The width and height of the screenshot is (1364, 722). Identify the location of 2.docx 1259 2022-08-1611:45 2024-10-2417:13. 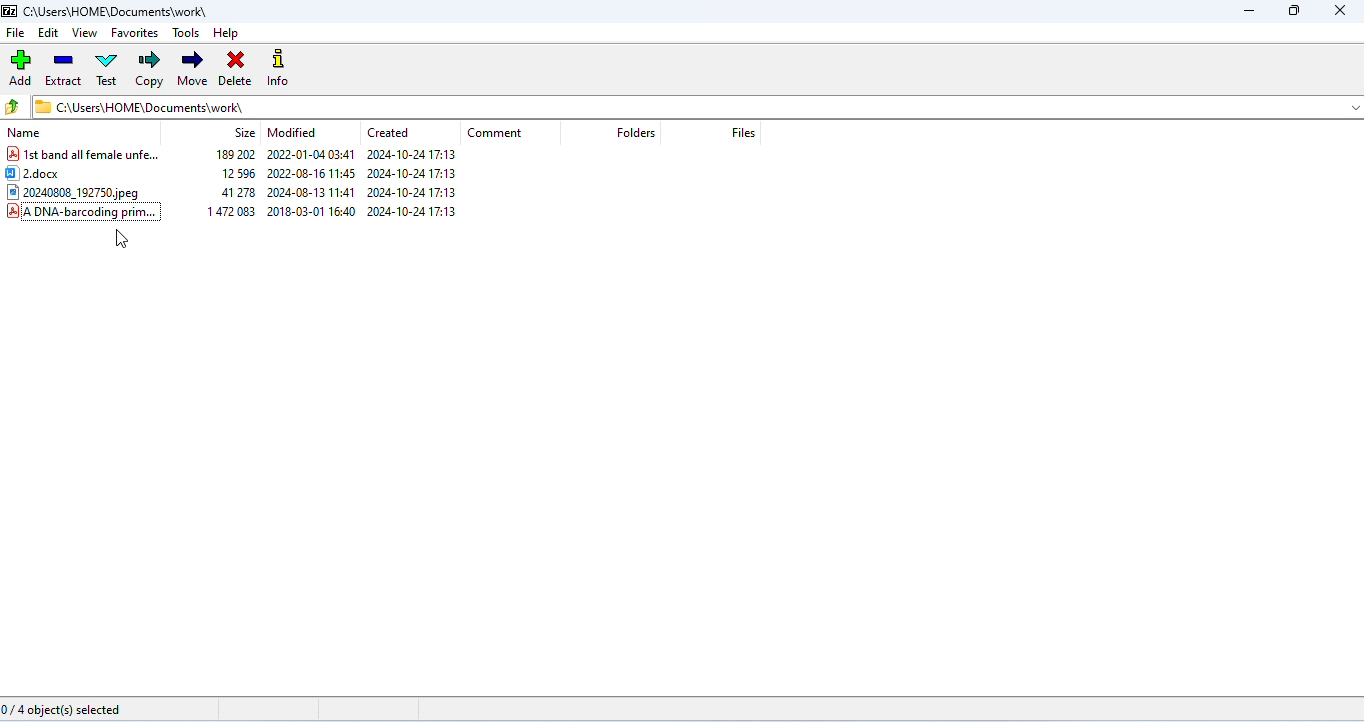
(246, 175).